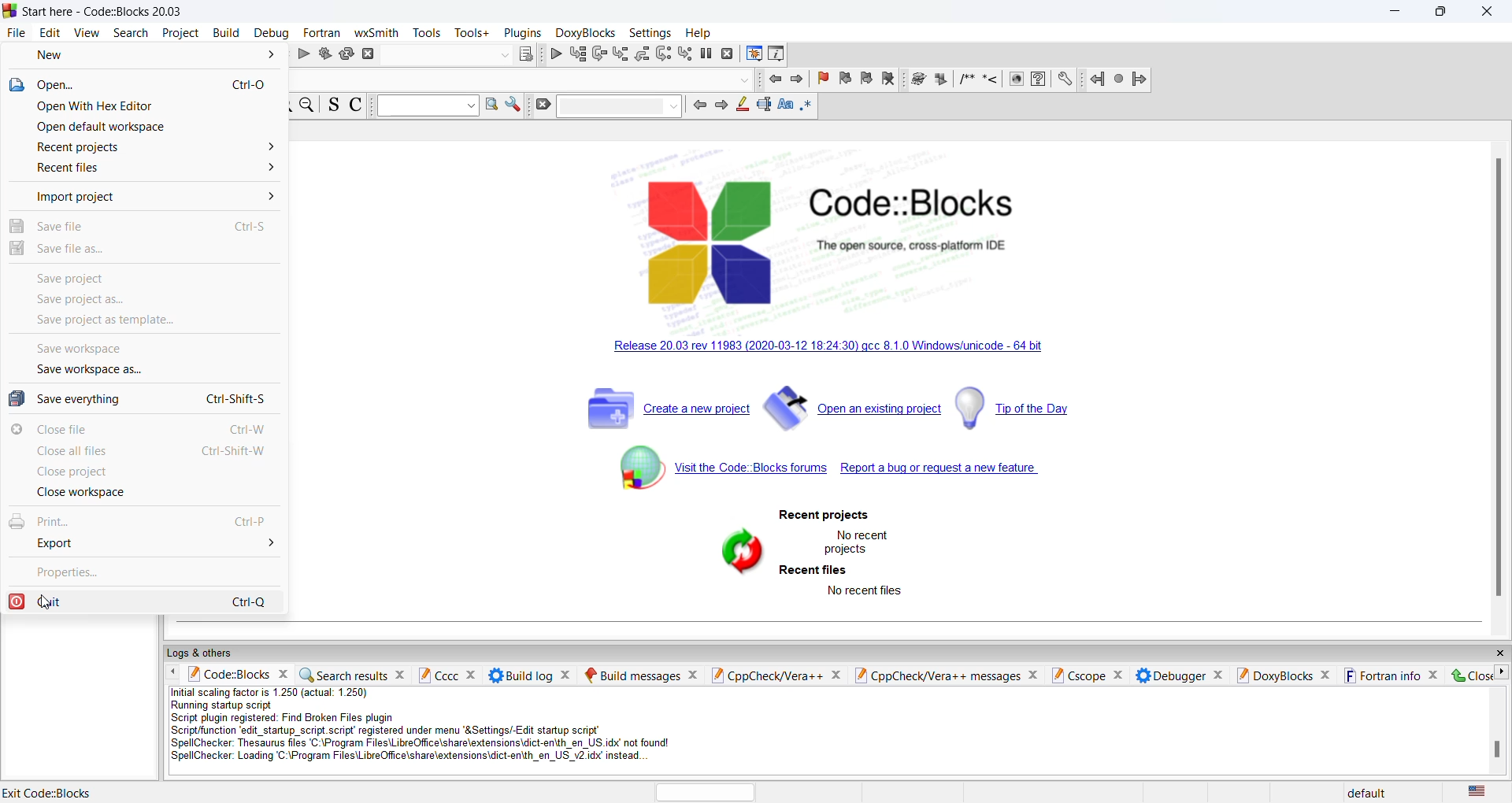 The height and width of the screenshot is (803, 1512). What do you see at coordinates (1179, 675) in the screenshot?
I see `Debugger` at bounding box center [1179, 675].